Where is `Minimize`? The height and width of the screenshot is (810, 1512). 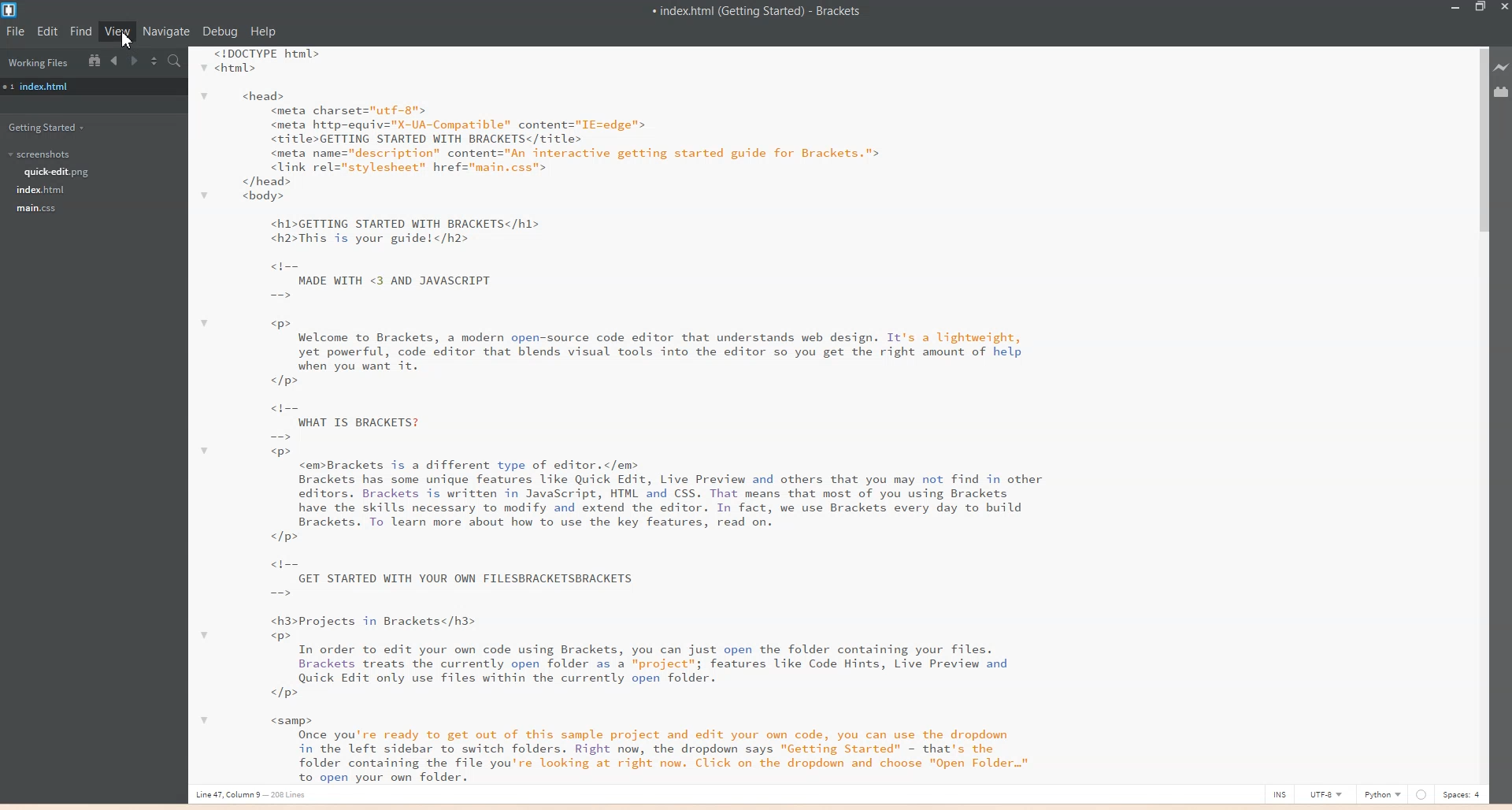 Minimize is located at coordinates (1457, 8).